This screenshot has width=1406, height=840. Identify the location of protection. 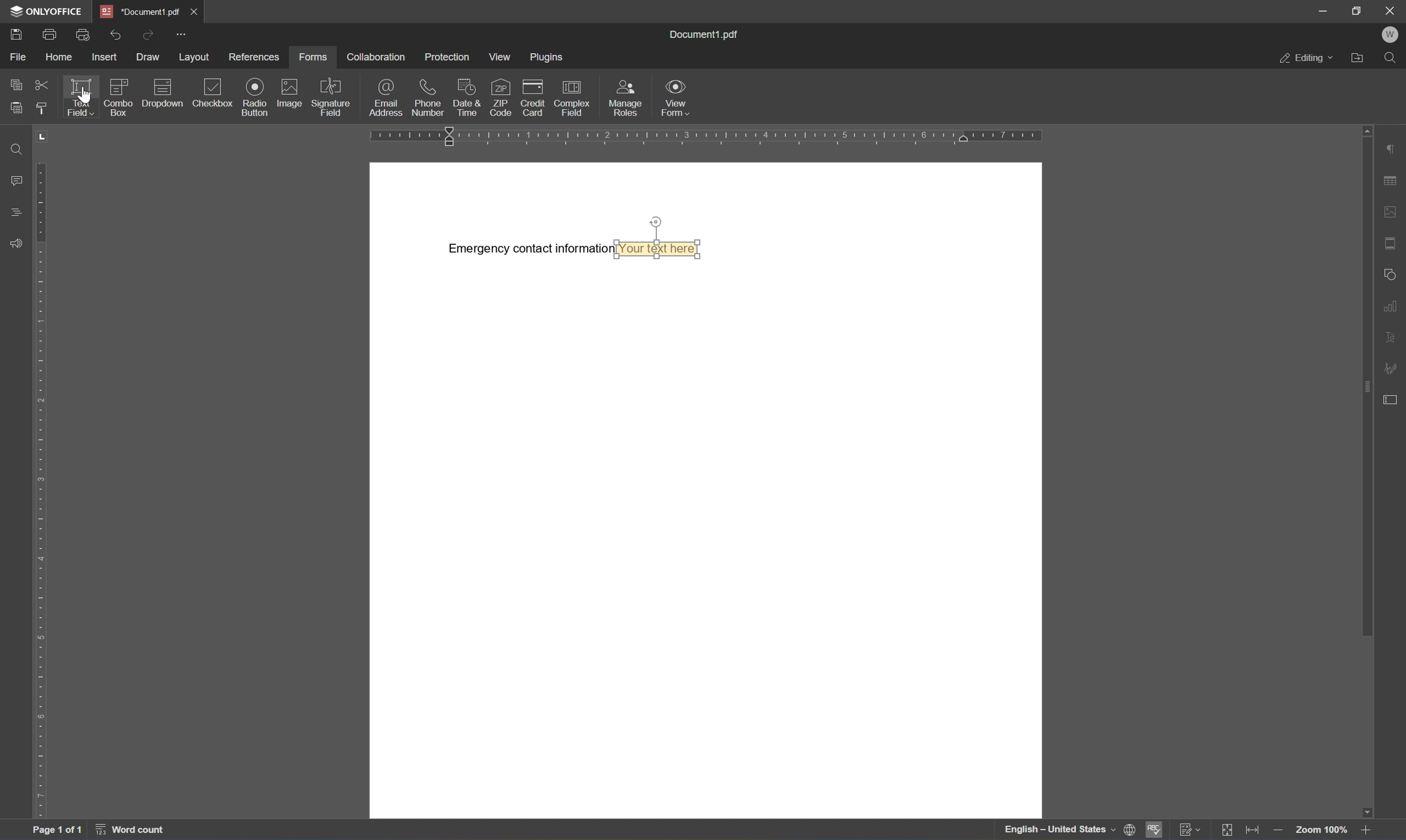
(450, 59).